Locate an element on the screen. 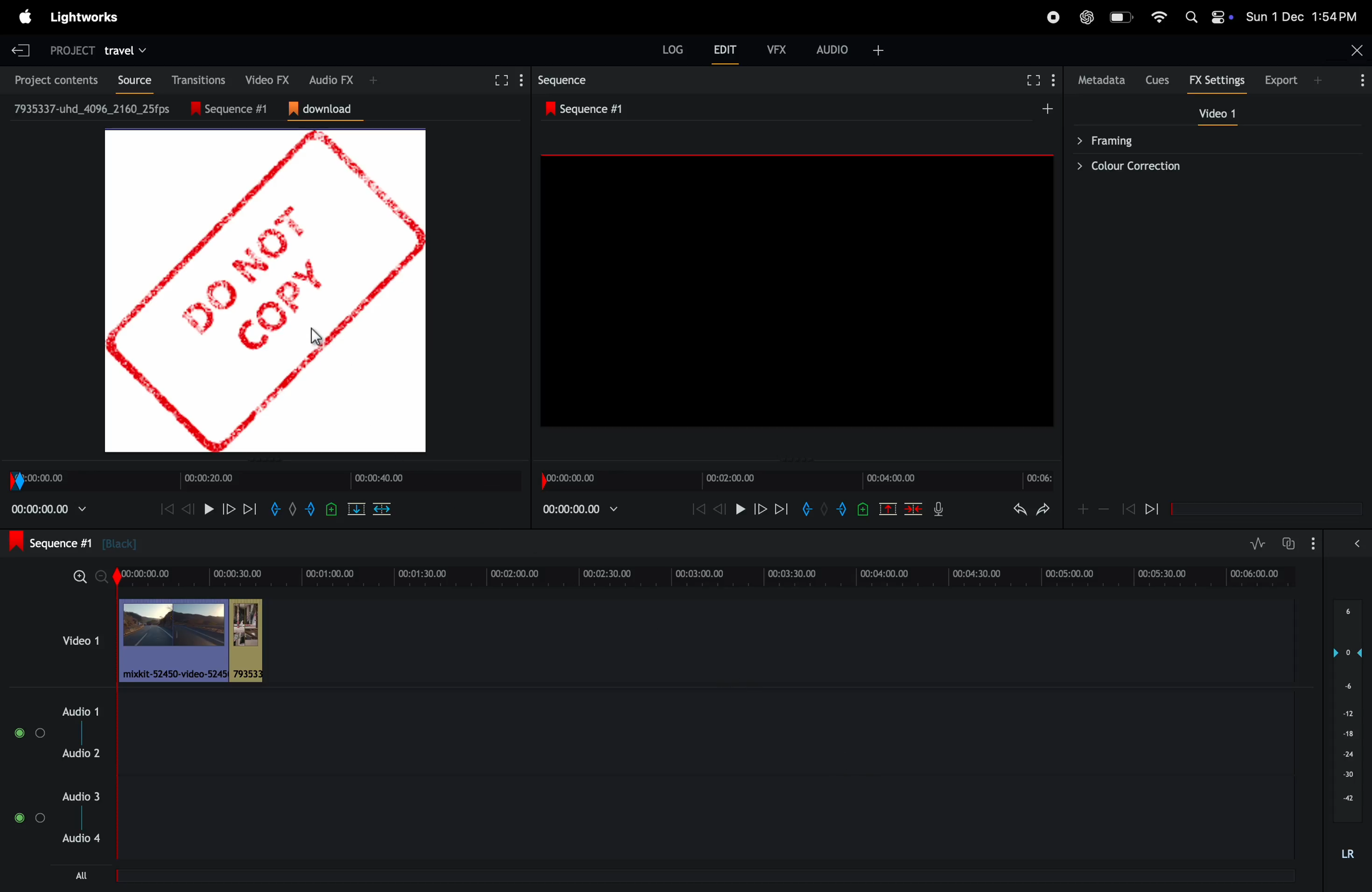  sequence #1 is located at coordinates (236, 109).